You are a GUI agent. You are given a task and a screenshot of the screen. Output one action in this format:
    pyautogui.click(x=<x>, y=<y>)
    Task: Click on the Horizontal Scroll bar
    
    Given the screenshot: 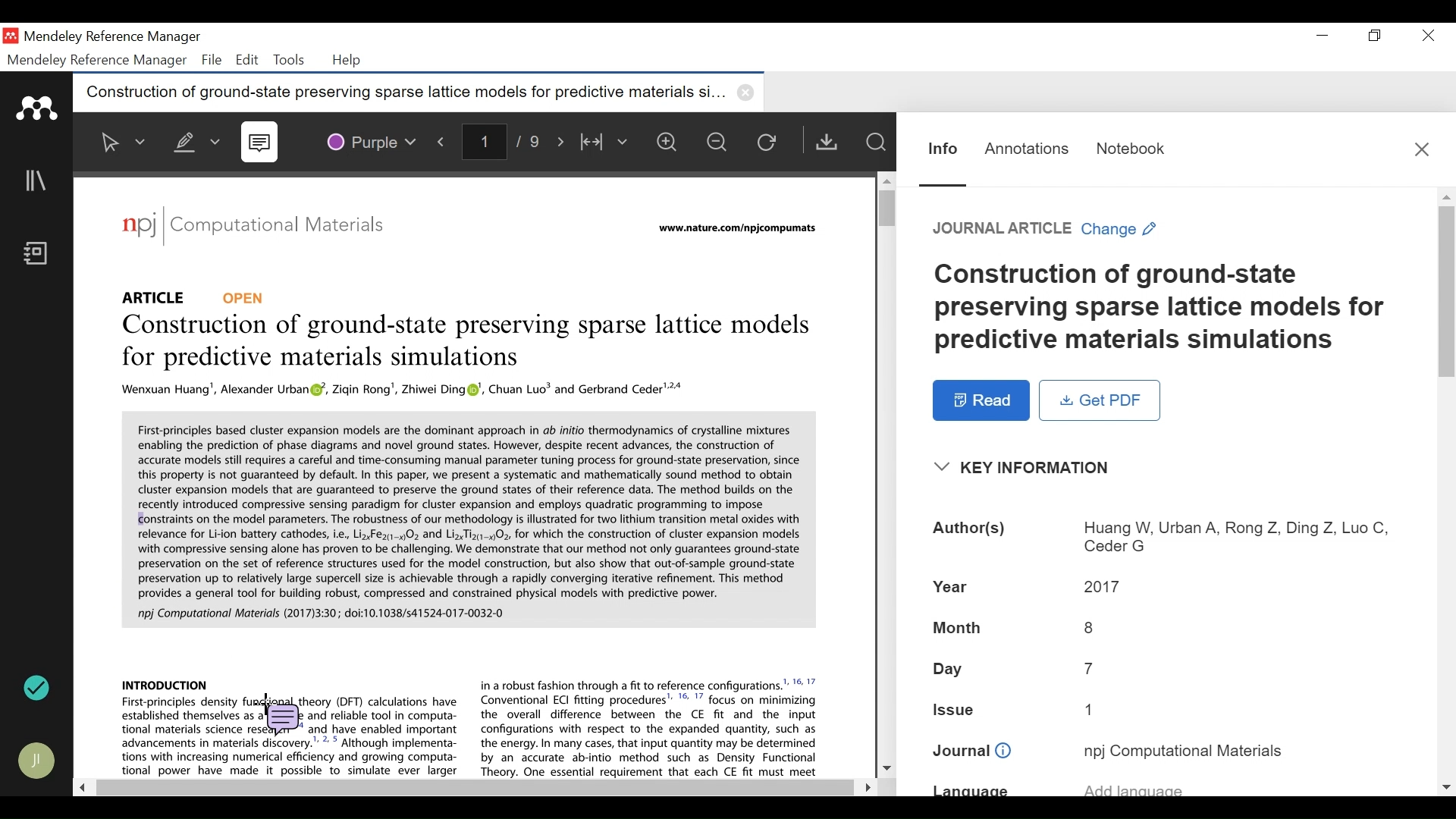 What is the action you would take?
    pyautogui.click(x=472, y=788)
    